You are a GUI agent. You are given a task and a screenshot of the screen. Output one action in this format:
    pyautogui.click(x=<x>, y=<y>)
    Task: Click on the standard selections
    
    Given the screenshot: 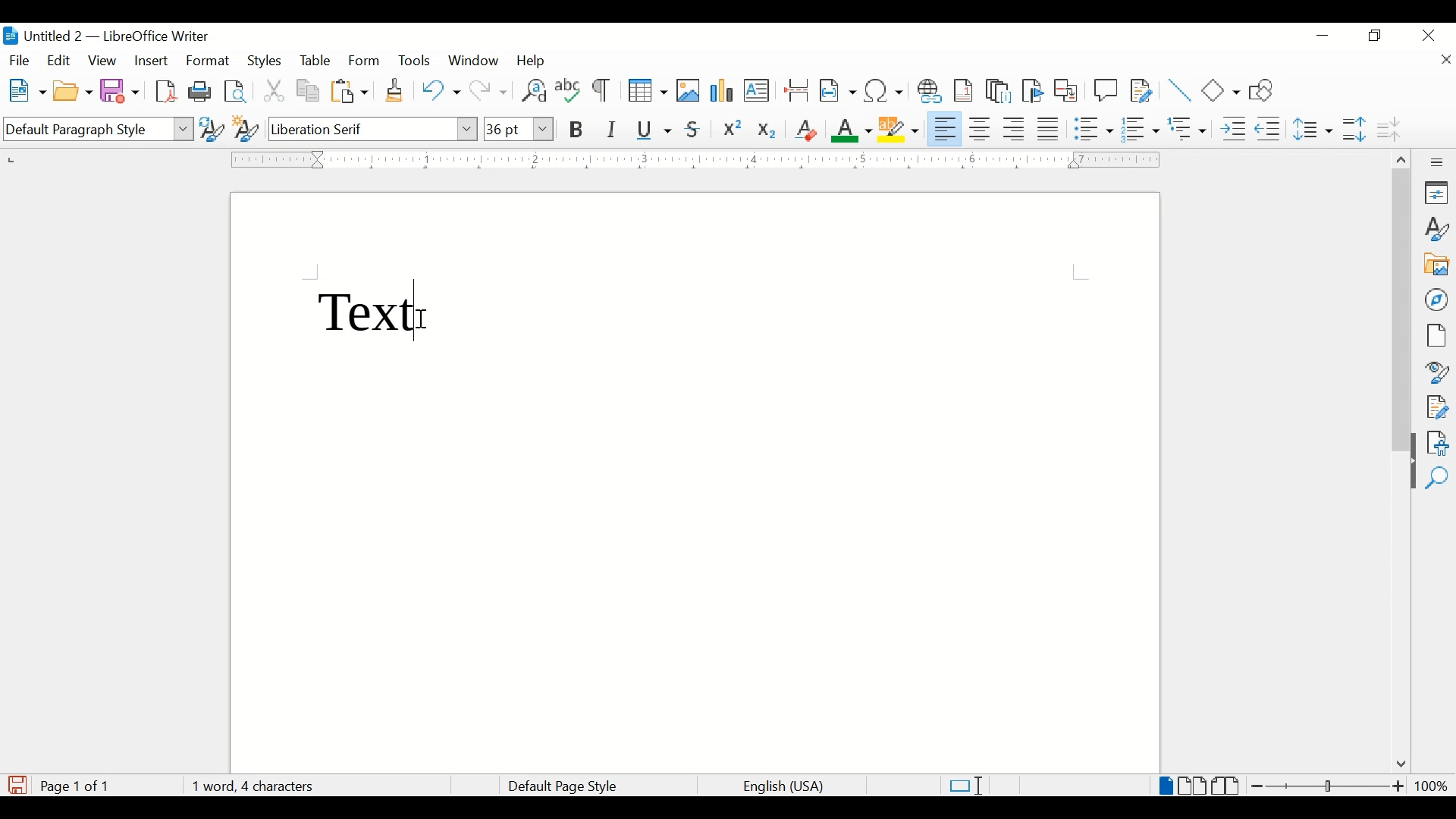 What is the action you would take?
    pyautogui.click(x=965, y=785)
    